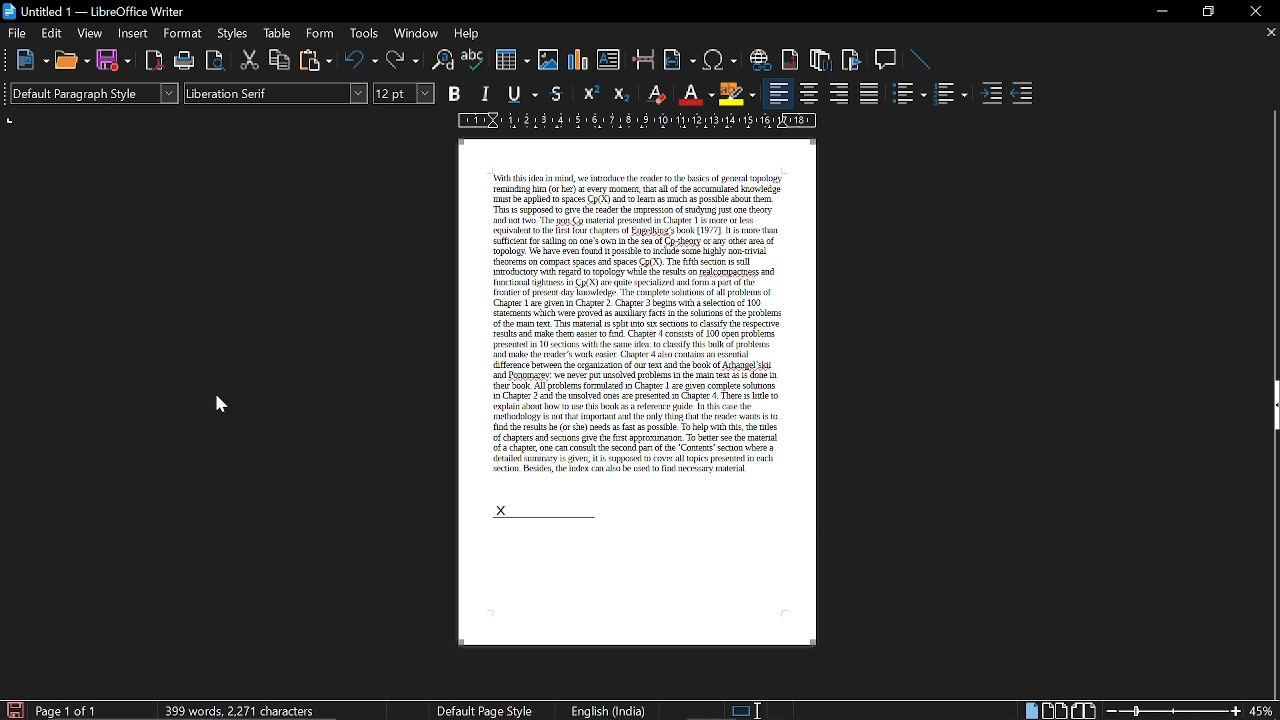  I want to click on toggle print preview, so click(218, 60).